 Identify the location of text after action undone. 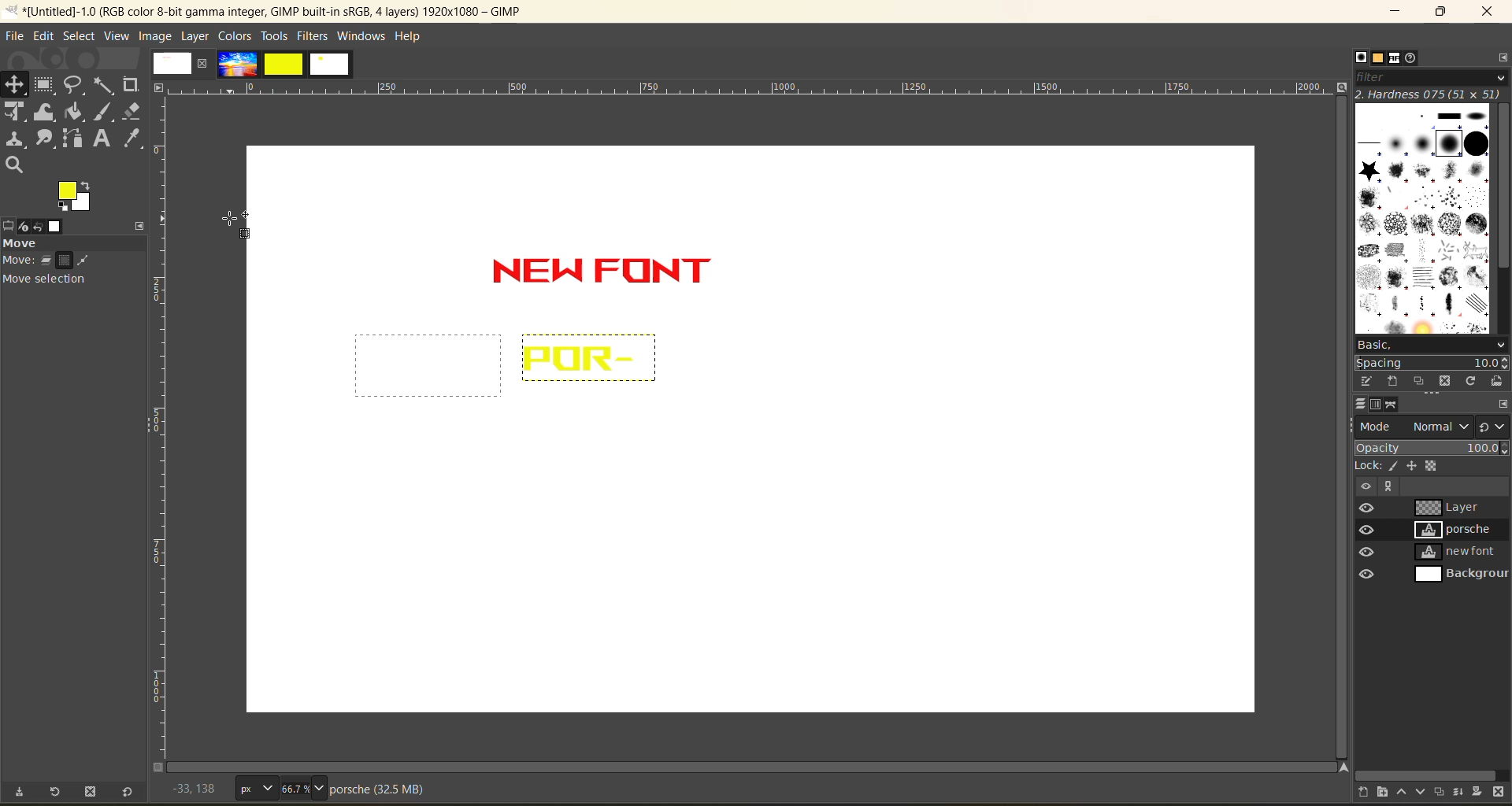
(587, 358).